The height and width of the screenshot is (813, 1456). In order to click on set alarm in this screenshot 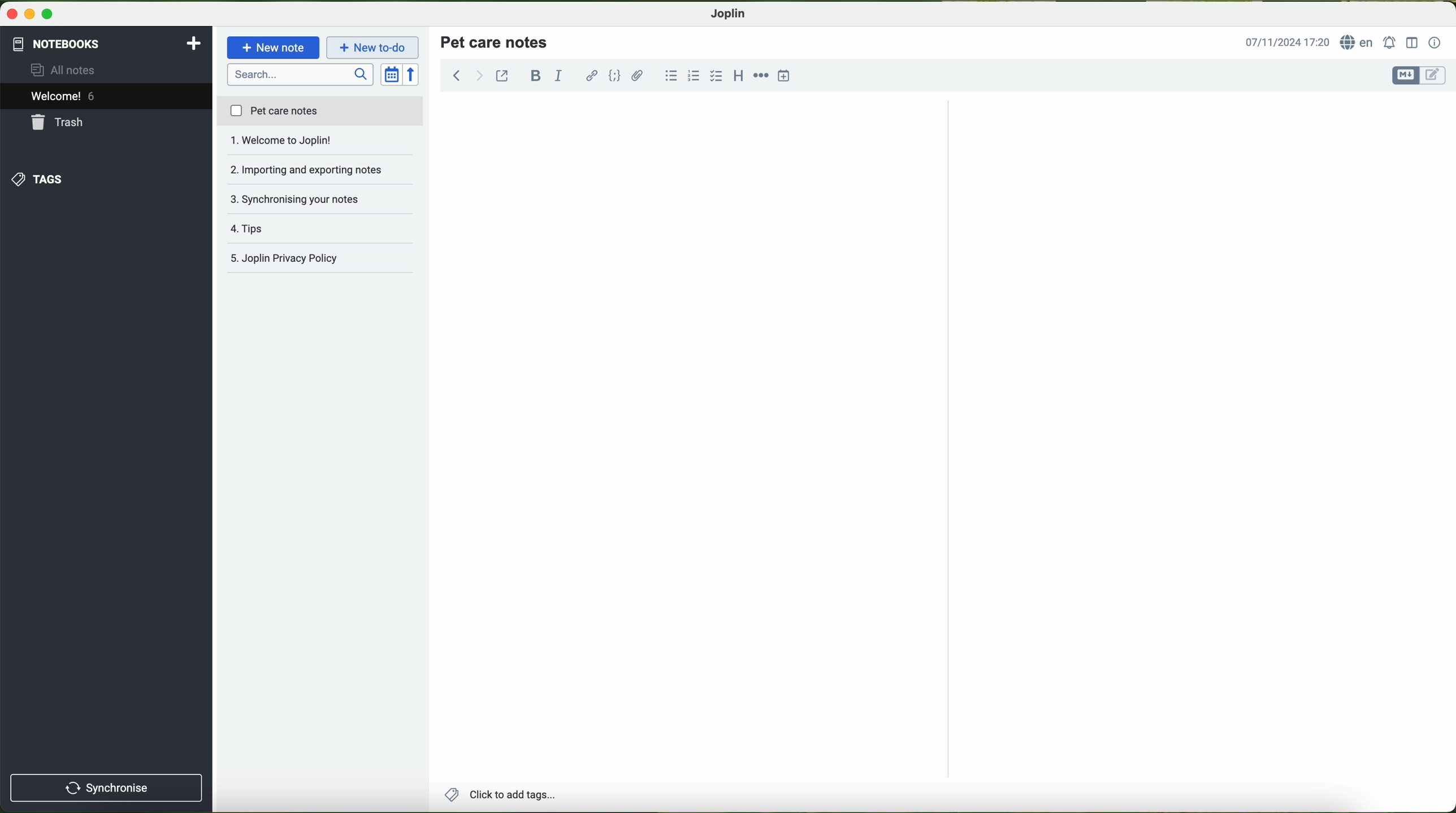, I will do `click(1391, 42)`.